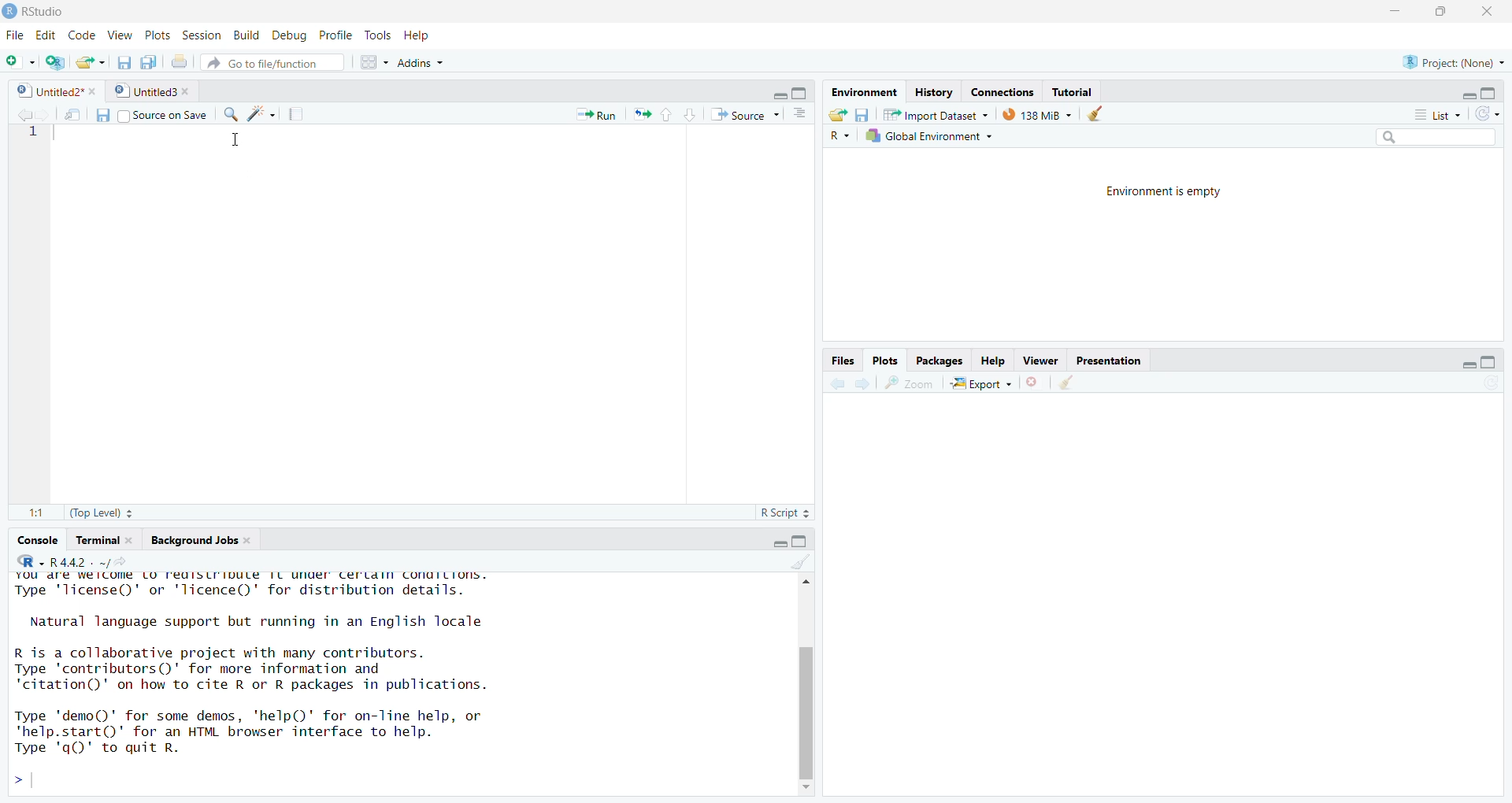 The image size is (1512, 803). What do you see at coordinates (1393, 13) in the screenshot?
I see `minimize` at bounding box center [1393, 13].